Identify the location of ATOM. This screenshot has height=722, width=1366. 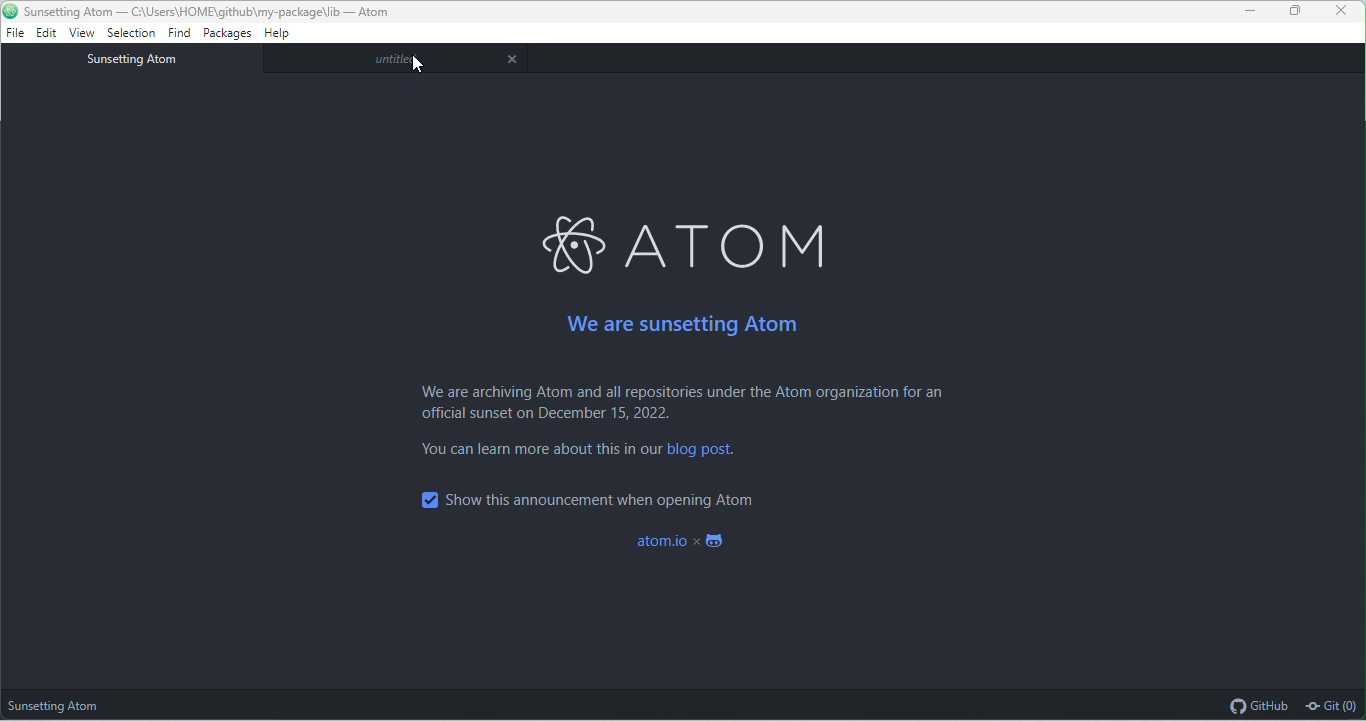
(742, 241).